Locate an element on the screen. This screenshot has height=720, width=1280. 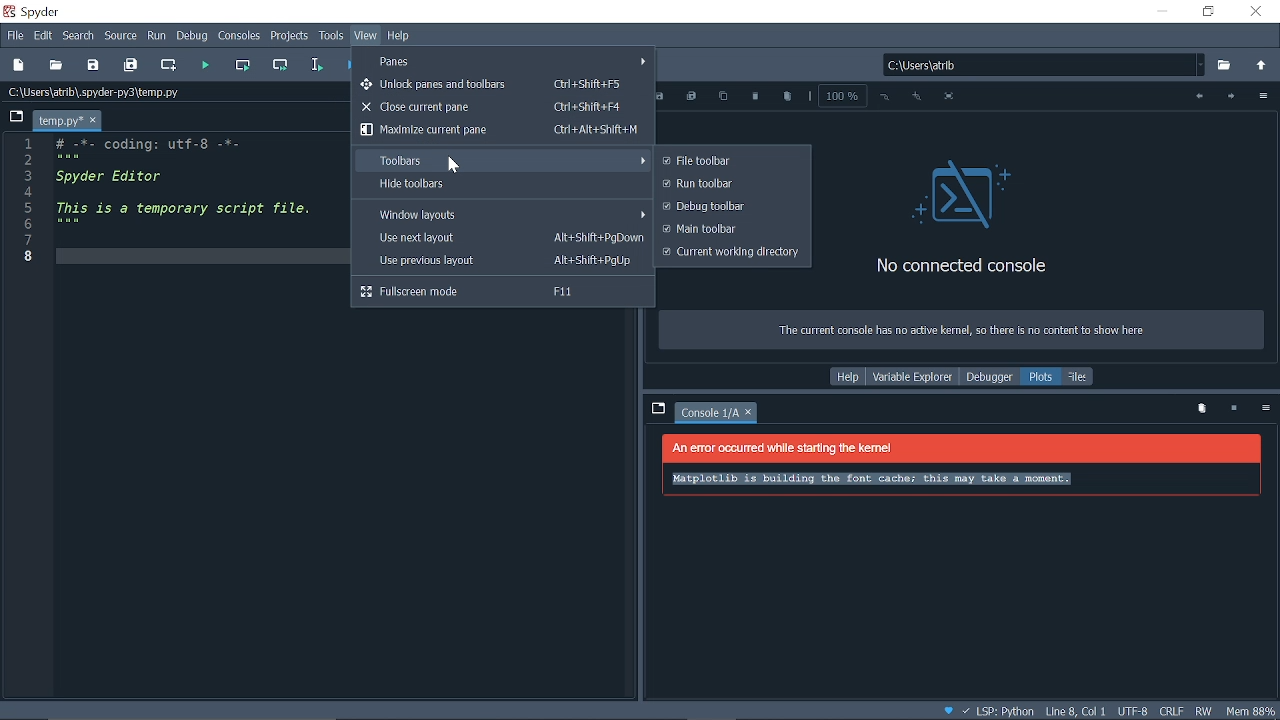
Current working directiory is located at coordinates (730, 253).